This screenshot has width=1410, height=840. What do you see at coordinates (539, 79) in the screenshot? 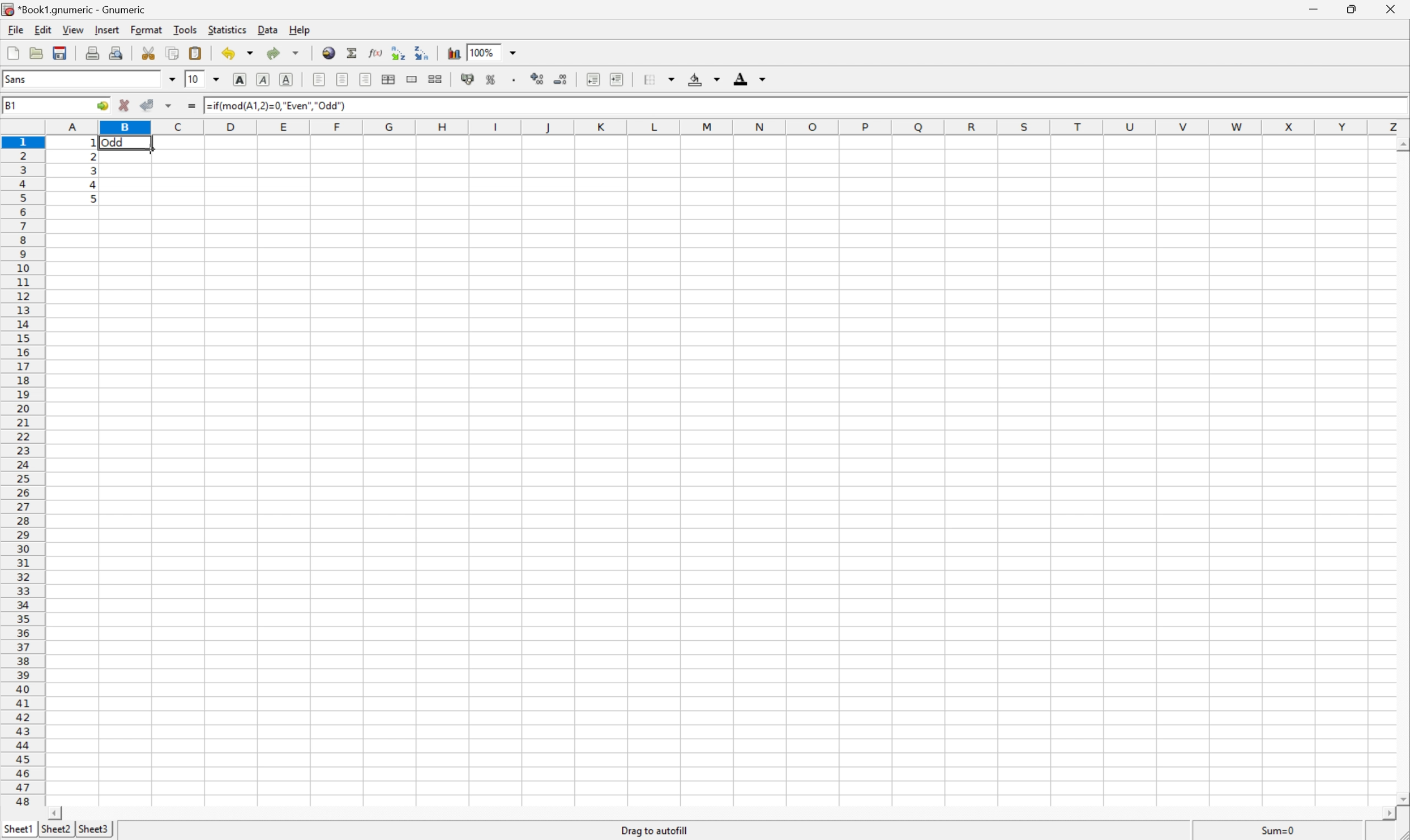
I see `Increase the decimals displayed` at bounding box center [539, 79].